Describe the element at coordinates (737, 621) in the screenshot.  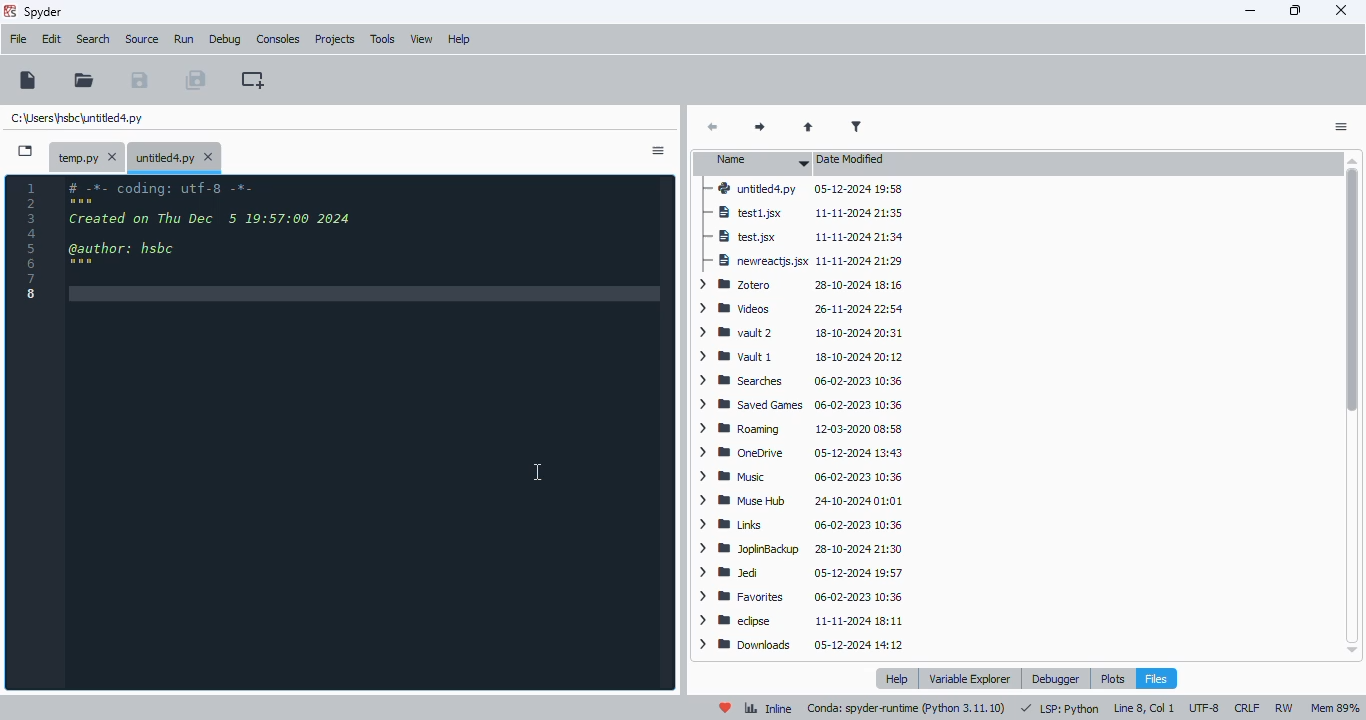
I see `eclipse` at that location.